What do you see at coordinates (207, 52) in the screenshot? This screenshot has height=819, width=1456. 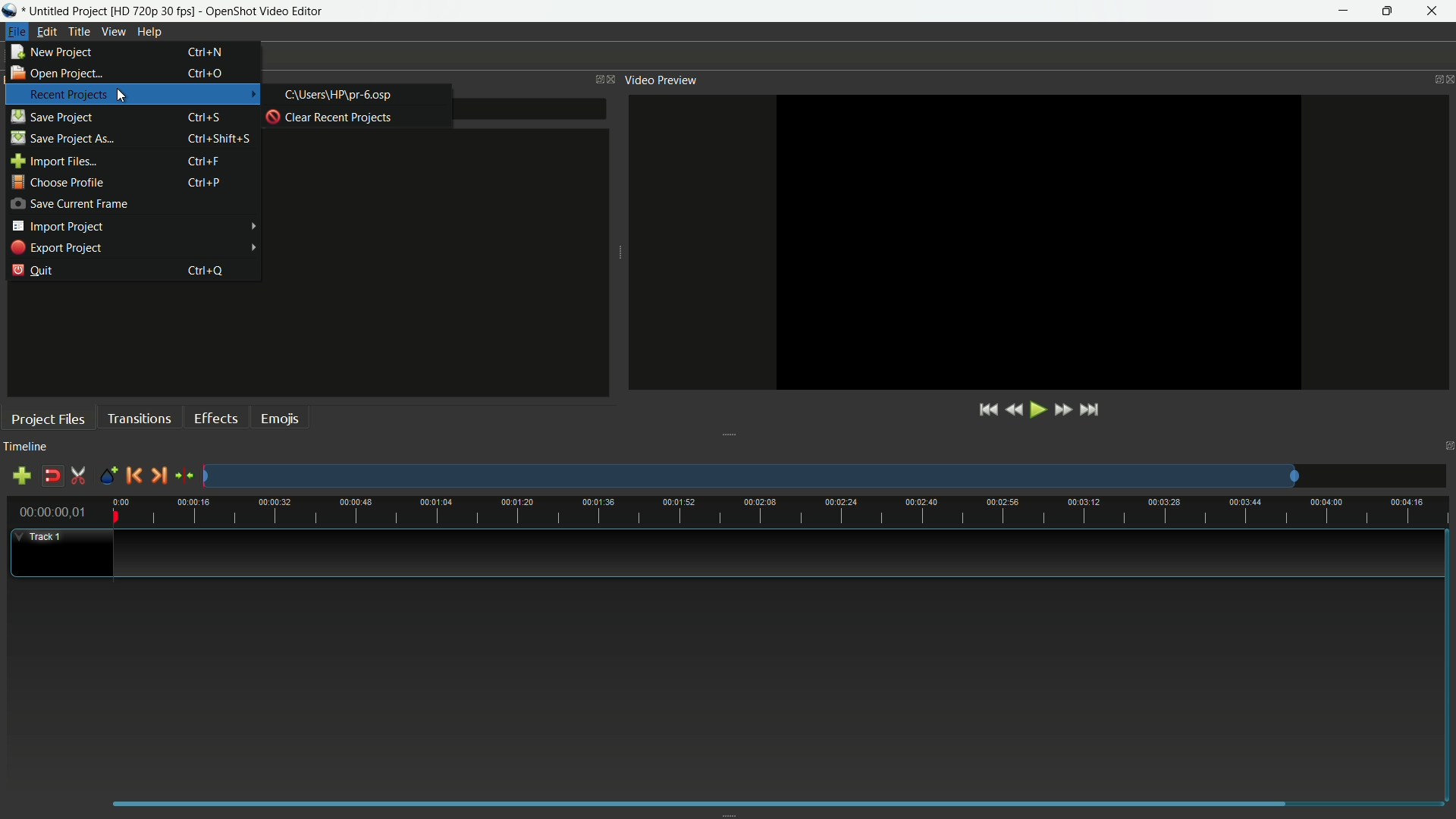 I see `keyboard shortcut` at bounding box center [207, 52].